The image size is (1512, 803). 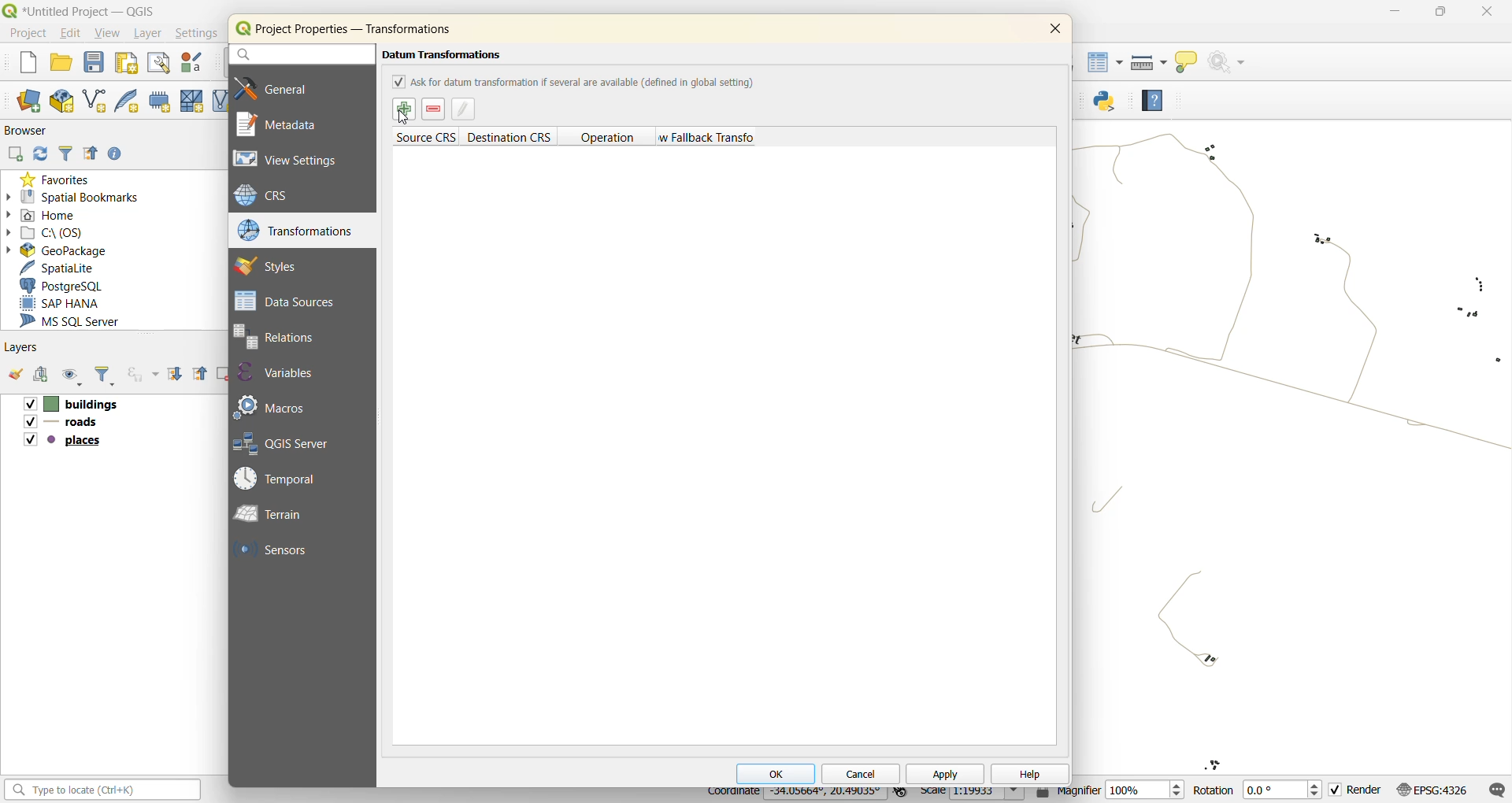 I want to click on buildings, so click(x=70, y=404).